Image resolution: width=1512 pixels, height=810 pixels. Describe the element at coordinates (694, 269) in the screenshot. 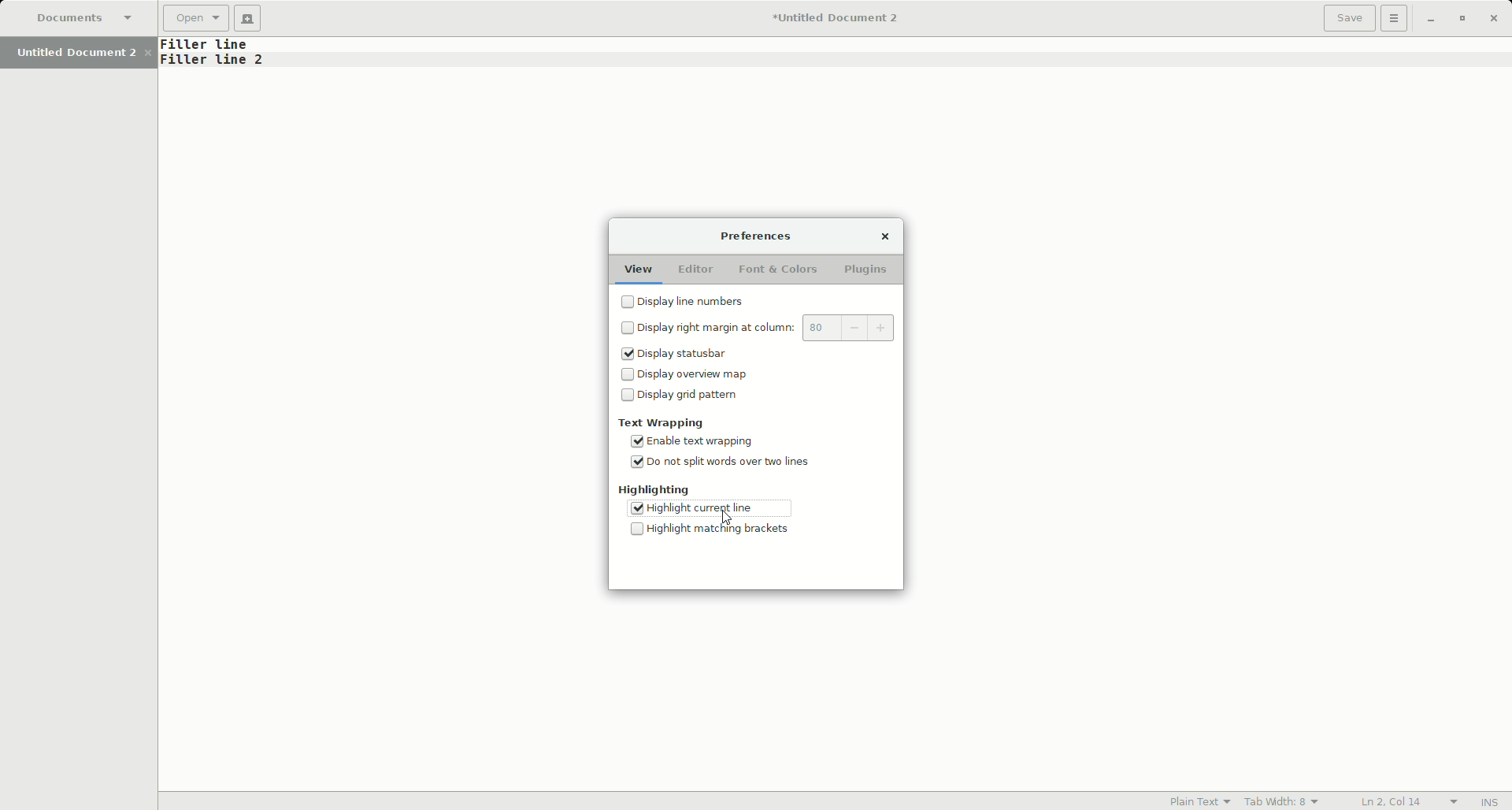

I see `Editor` at that location.